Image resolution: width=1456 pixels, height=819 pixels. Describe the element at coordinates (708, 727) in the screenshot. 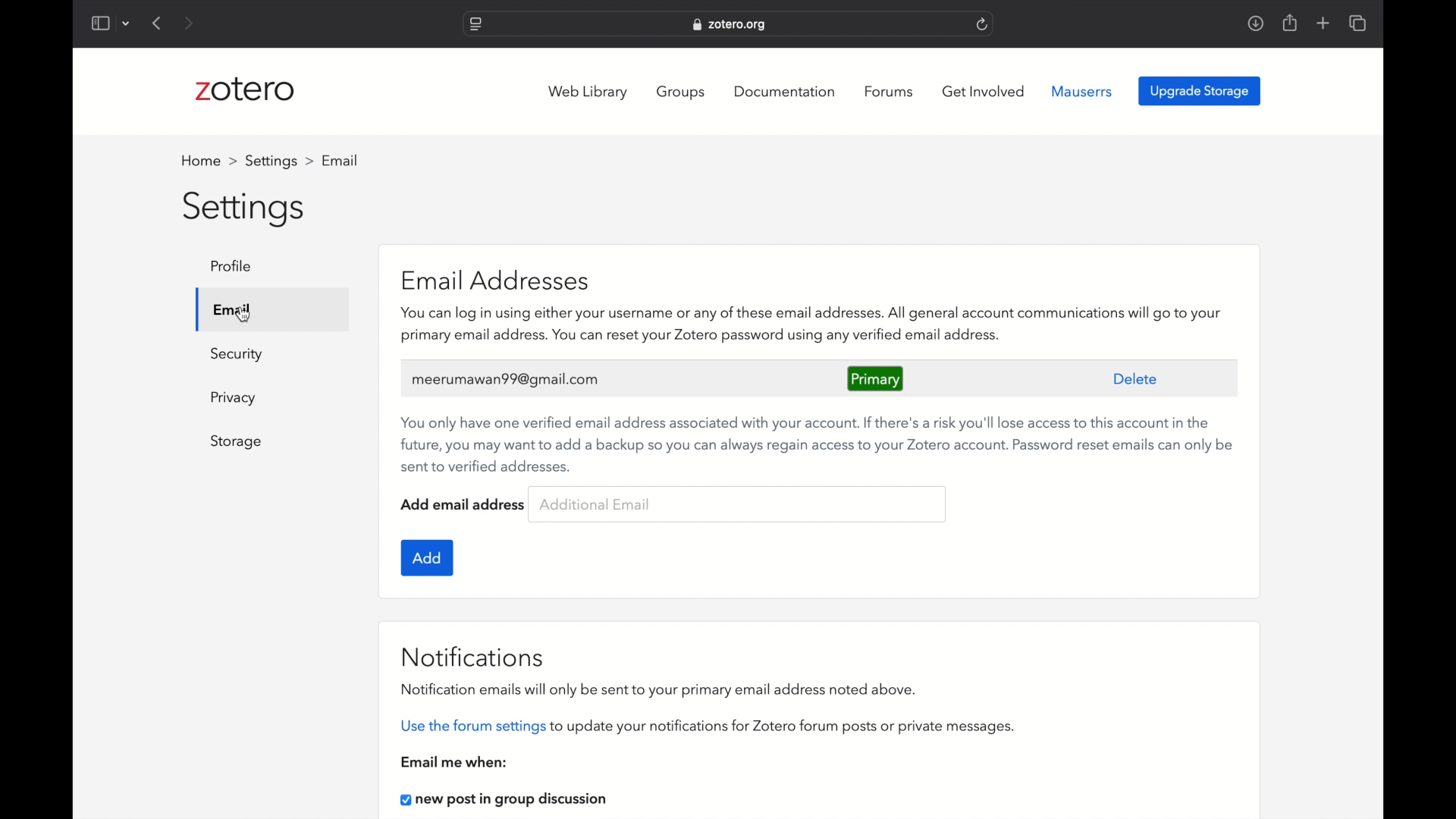

I see `use the forum settings to update your notifications for zotero forum posts or private messages` at that location.